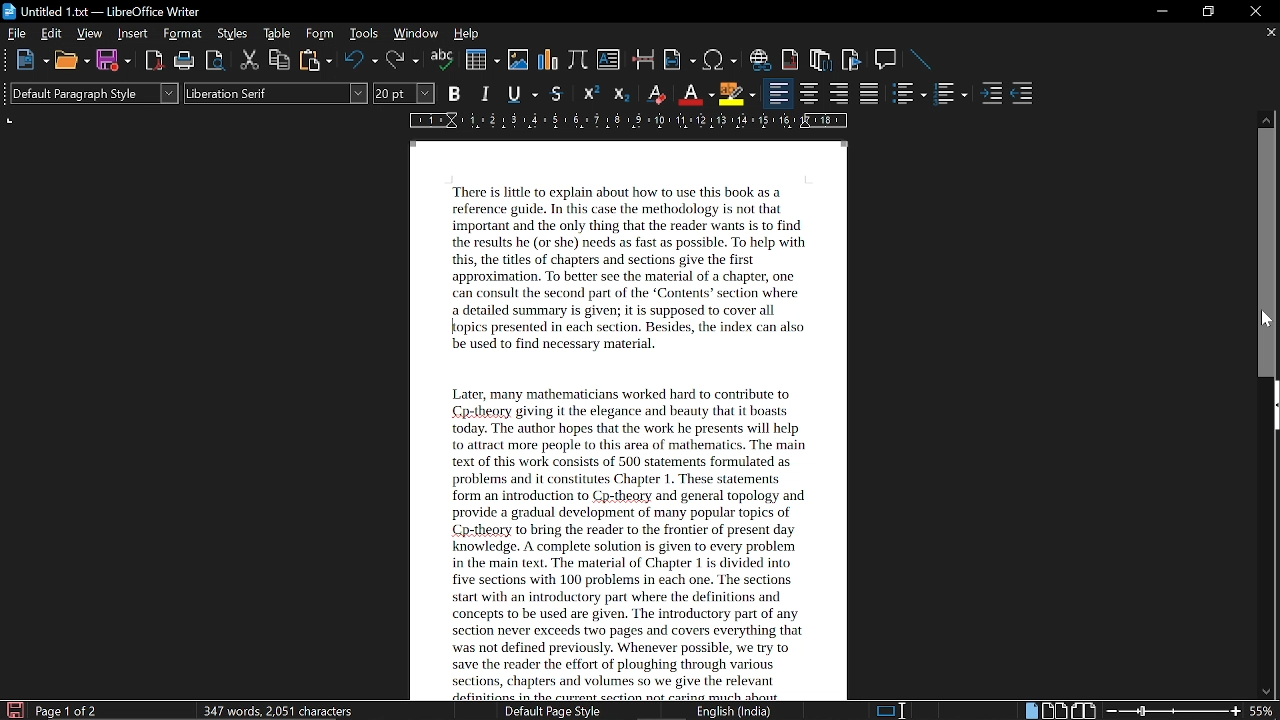 The image size is (1280, 720). I want to click on insert comment, so click(887, 60).